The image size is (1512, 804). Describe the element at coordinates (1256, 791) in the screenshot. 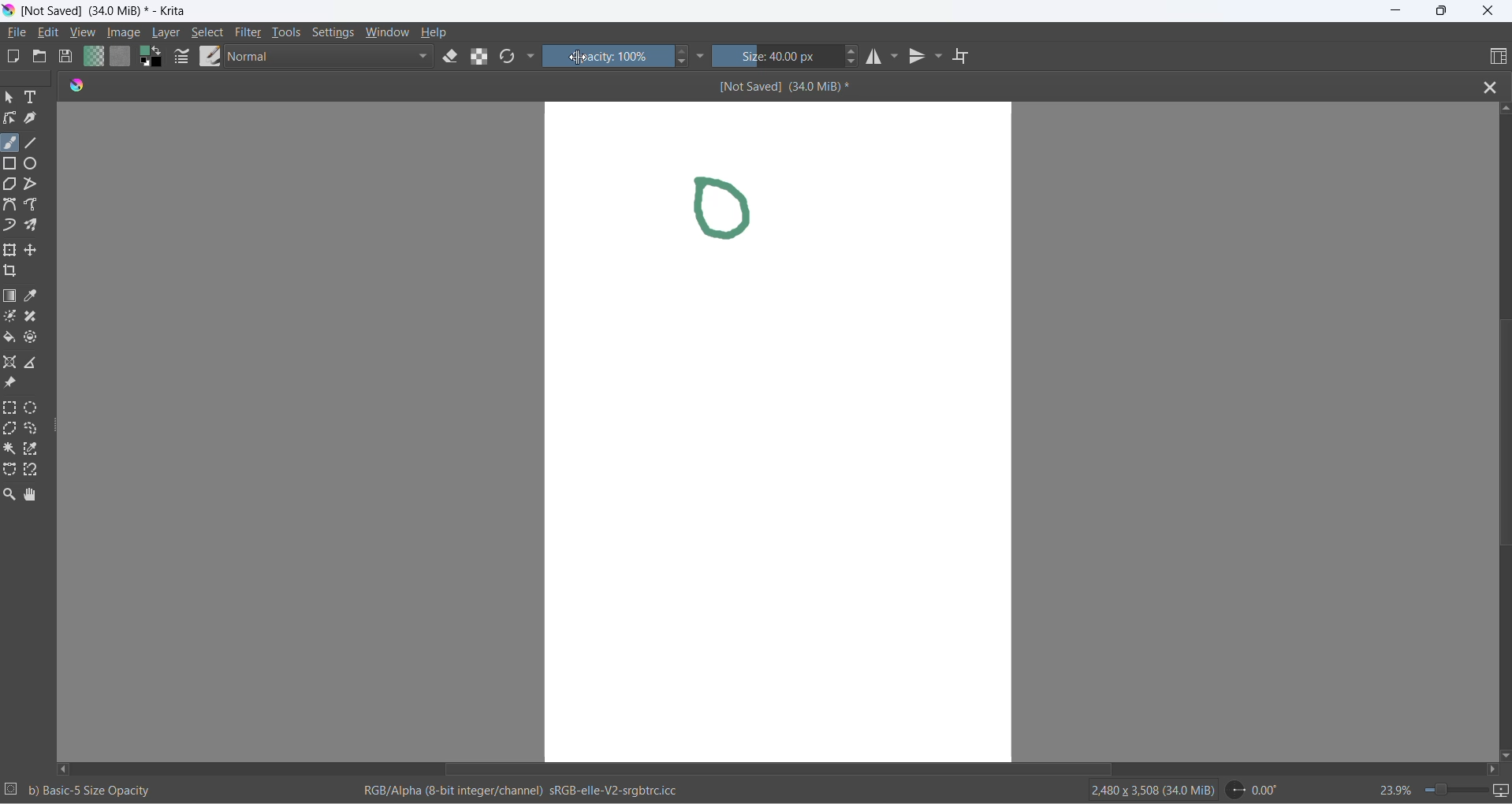

I see `0.00` at that location.